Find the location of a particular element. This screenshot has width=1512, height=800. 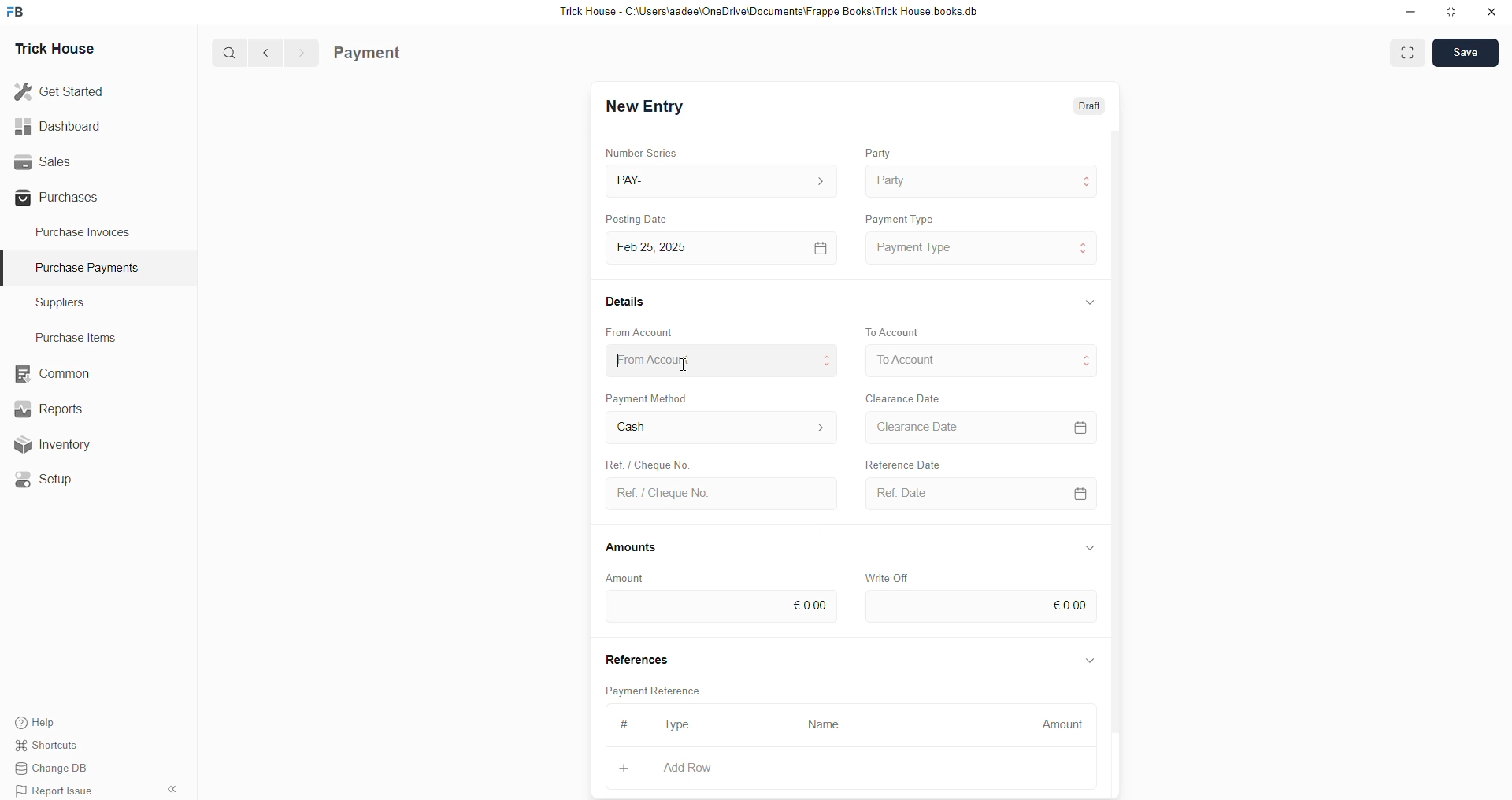

Trick House is located at coordinates (50, 47).